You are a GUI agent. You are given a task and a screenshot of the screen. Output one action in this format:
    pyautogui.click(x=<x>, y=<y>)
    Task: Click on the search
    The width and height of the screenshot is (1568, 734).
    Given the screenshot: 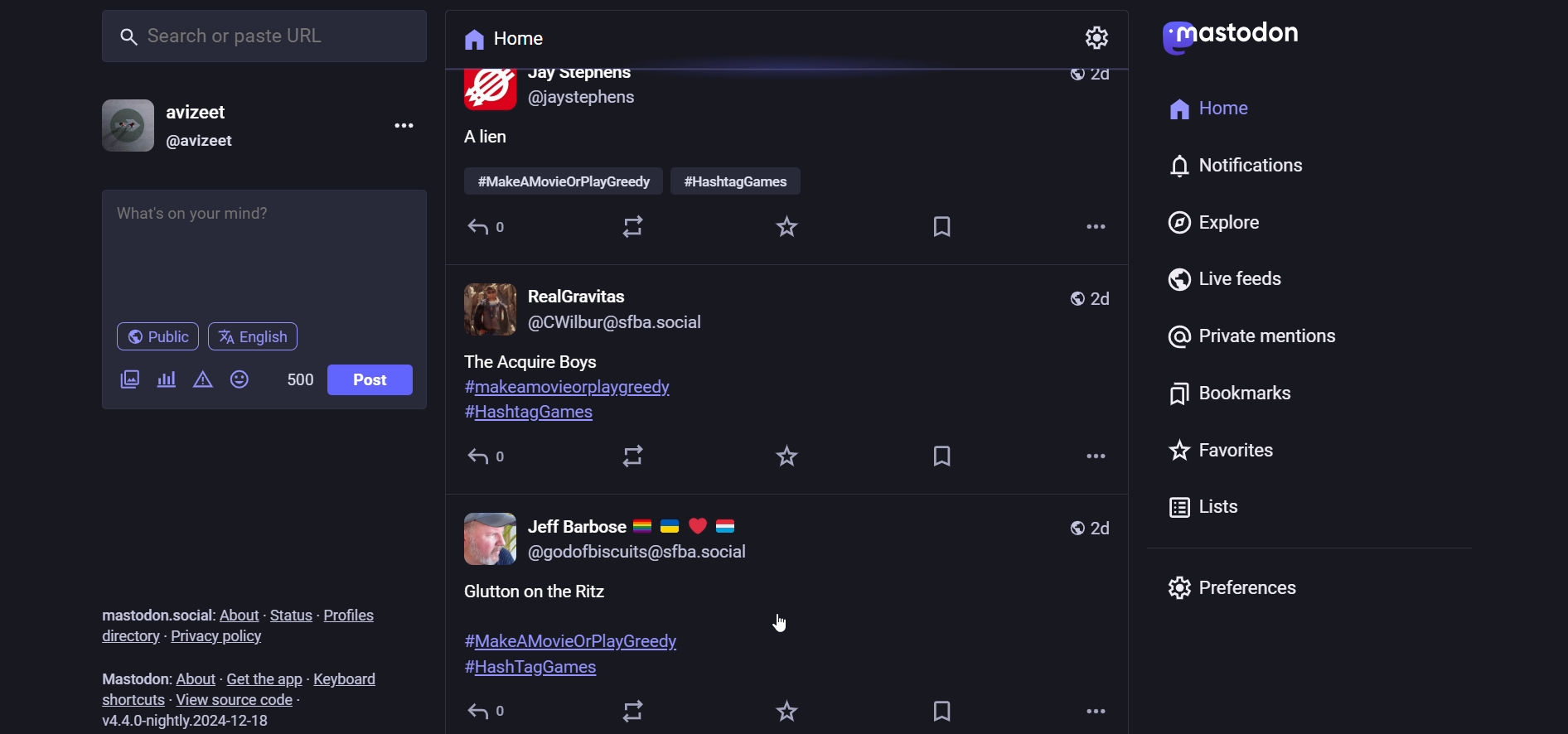 What is the action you would take?
    pyautogui.click(x=259, y=41)
    